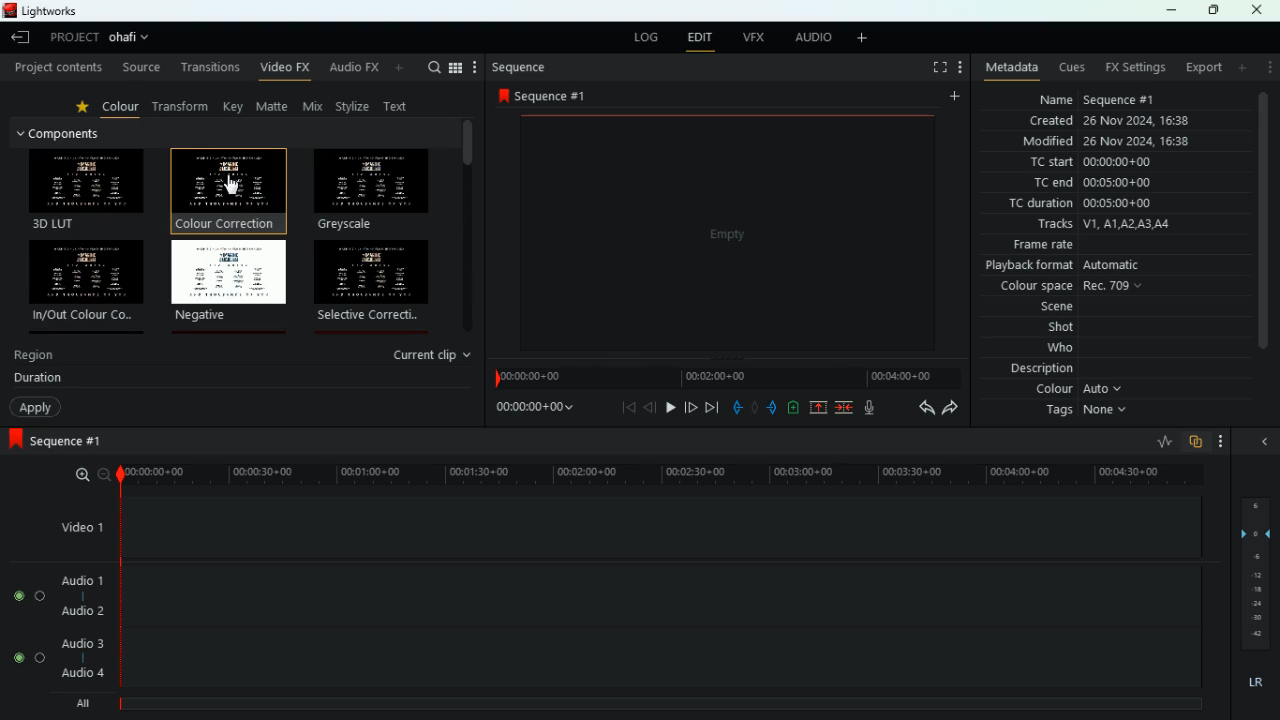  I want to click on description, so click(1040, 371).